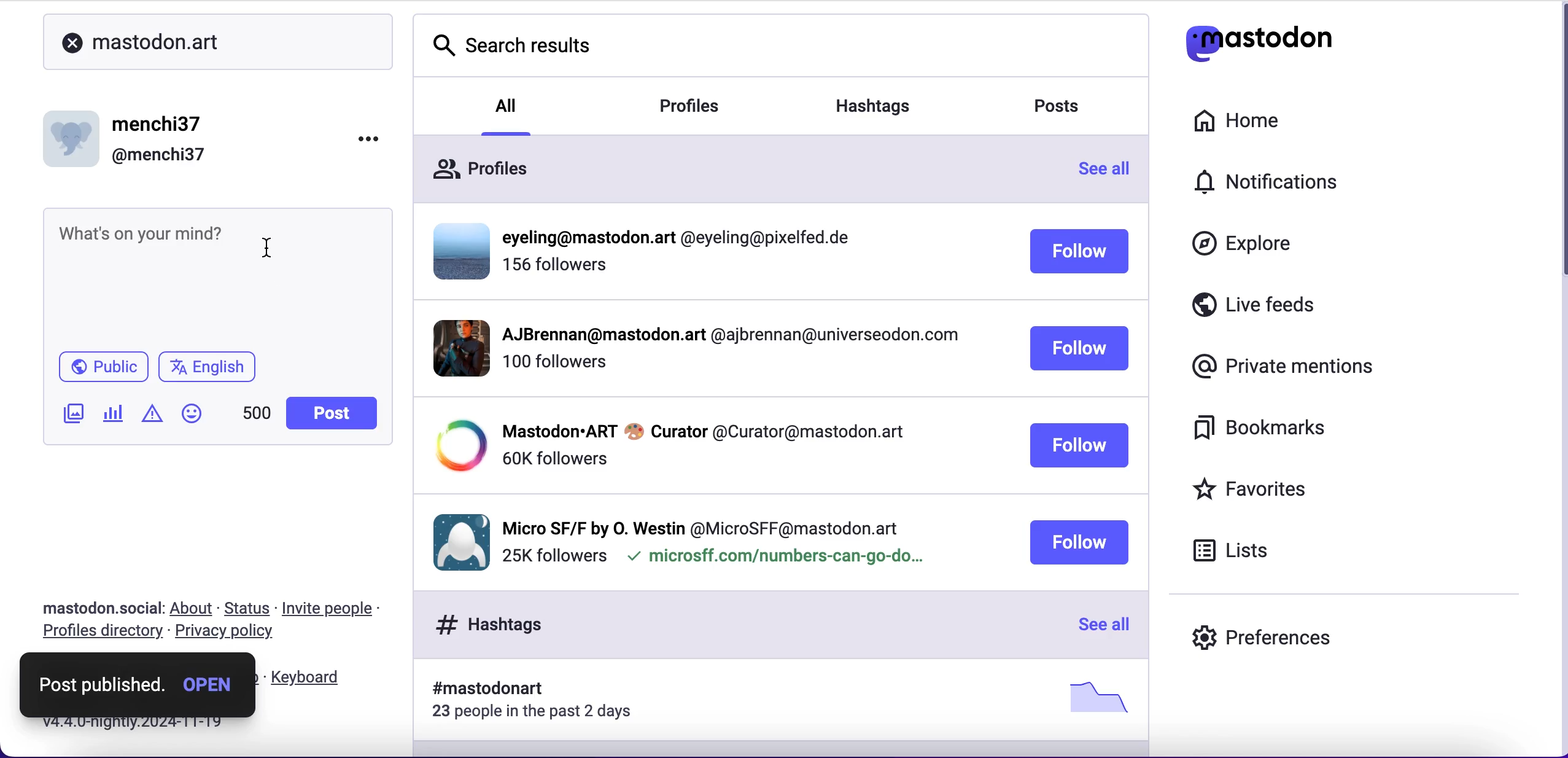 This screenshot has width=1568, height=758. Describe the element at coordinates (159, 156) in the screenshot. I see `@menchi37` at that location.